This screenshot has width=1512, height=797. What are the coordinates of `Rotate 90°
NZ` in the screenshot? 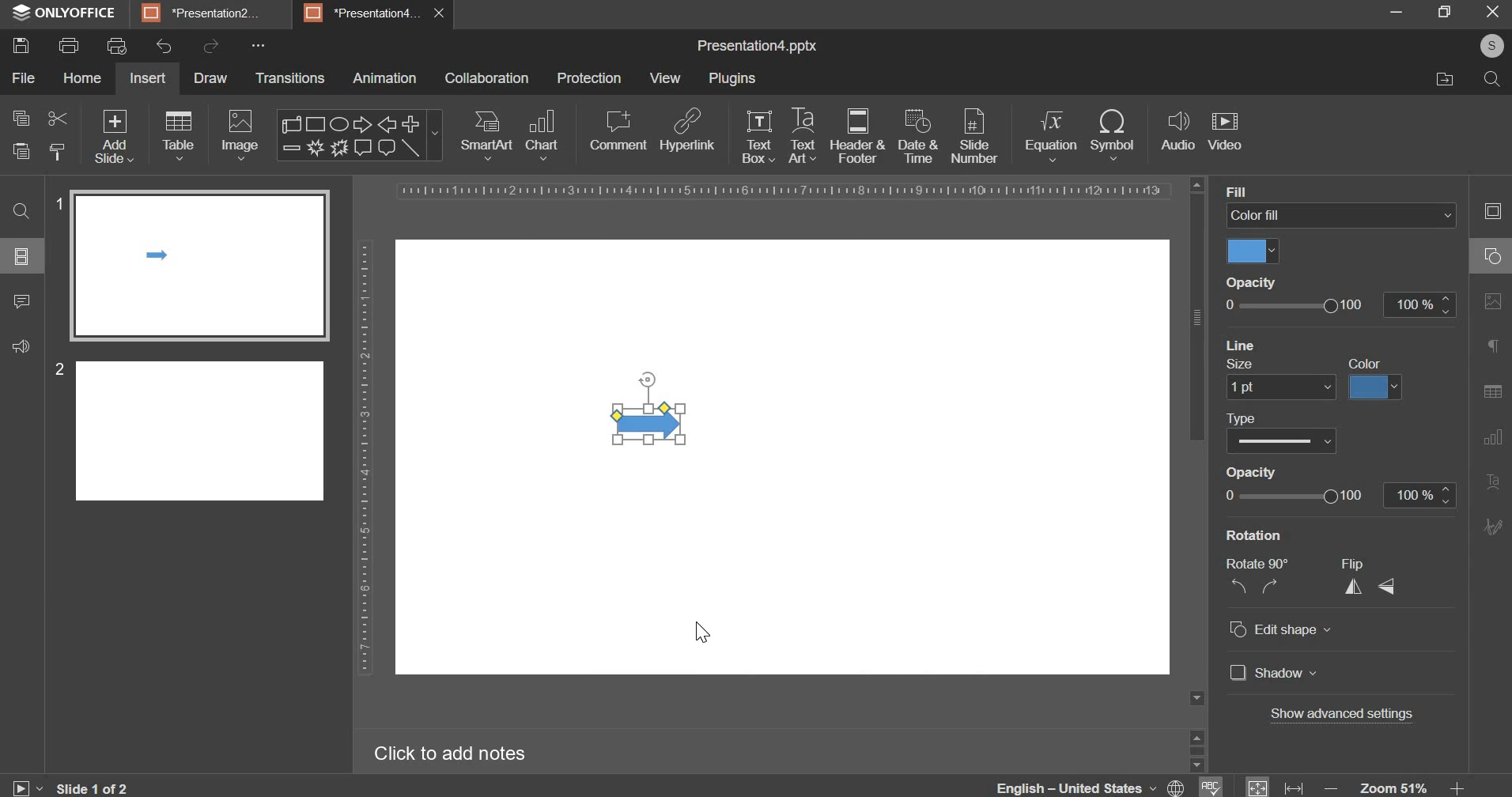 It's located at (1253, 579).